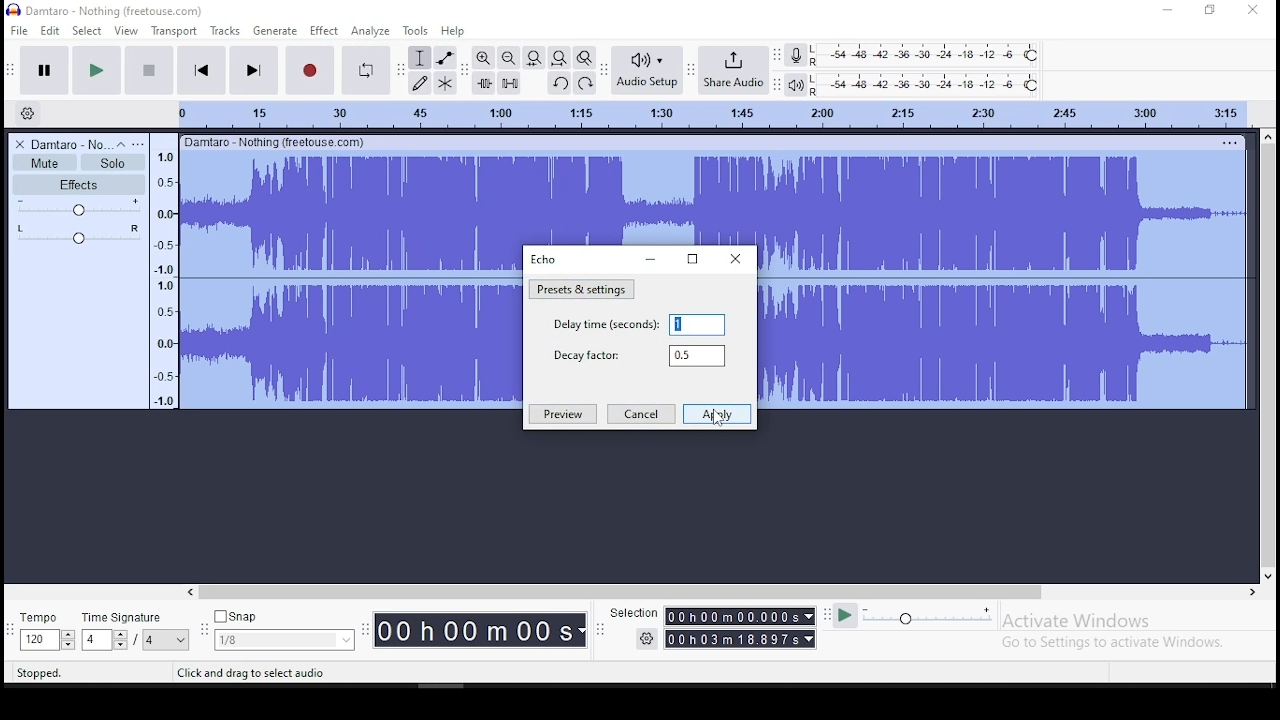  I want to click on timeline settings, so click(27, 111).